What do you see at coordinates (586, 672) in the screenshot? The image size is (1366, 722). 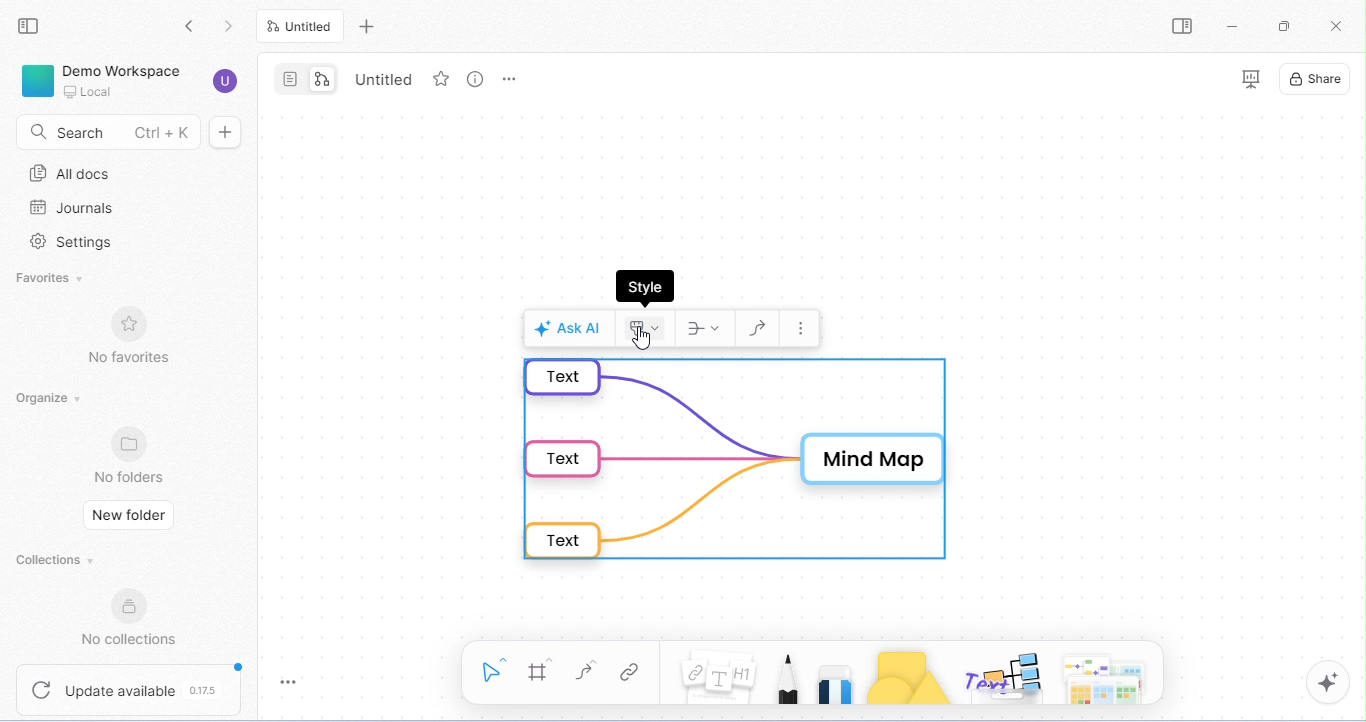 I see `connectors` at bounding box center [586, 672].